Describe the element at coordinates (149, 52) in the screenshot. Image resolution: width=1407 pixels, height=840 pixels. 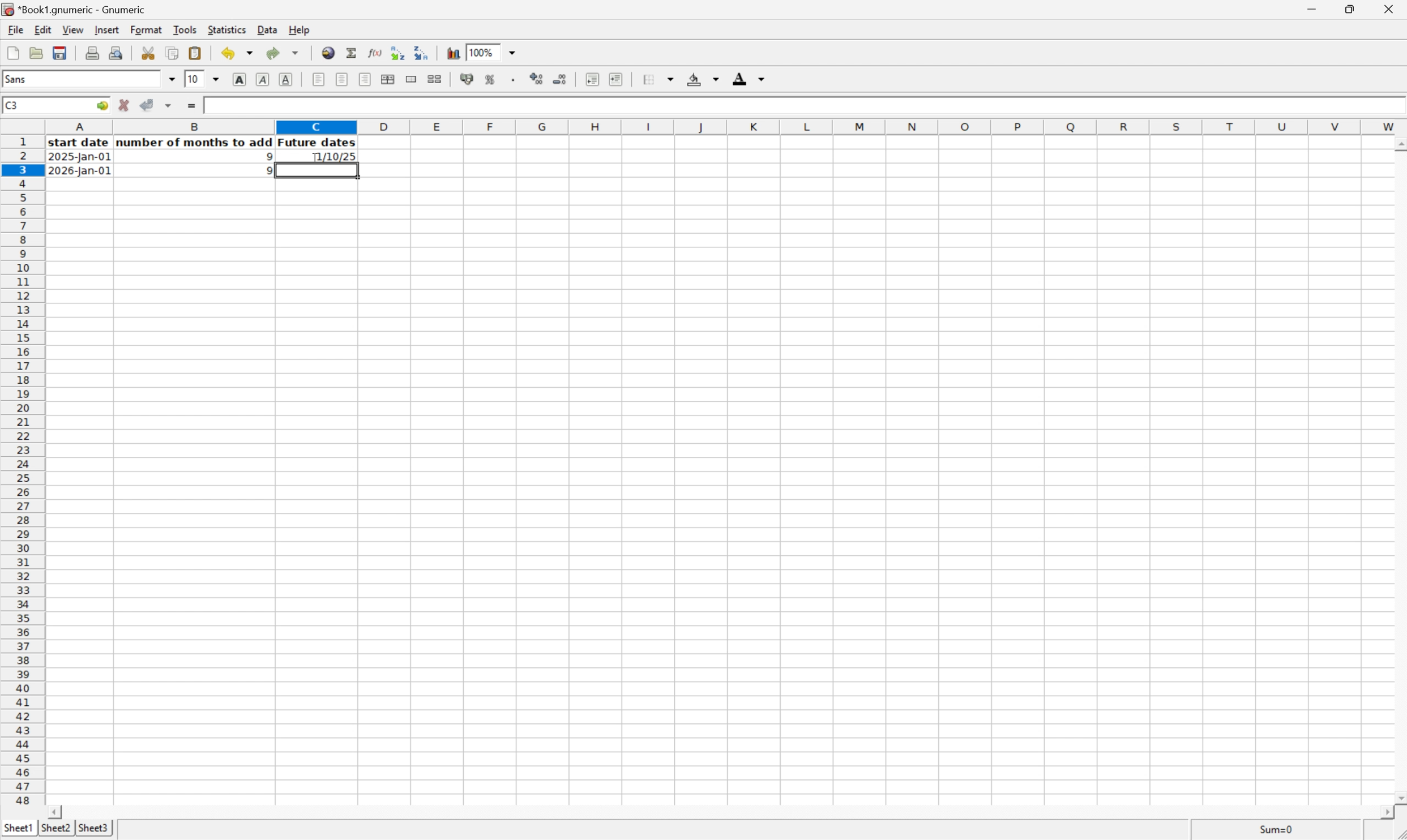
I see `Cut selection` at that location.